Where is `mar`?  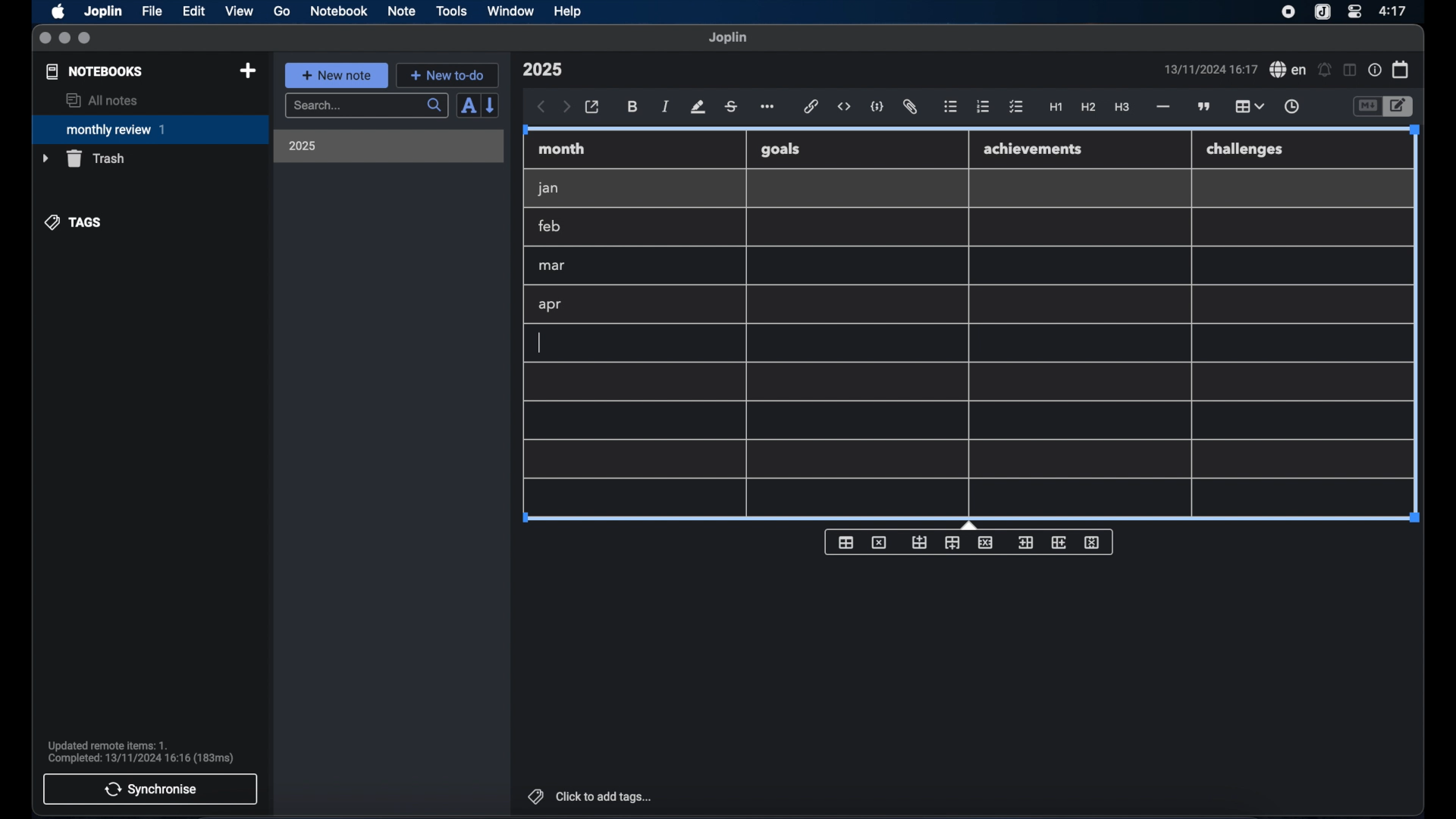
mar is located at coordinates (553, 266).